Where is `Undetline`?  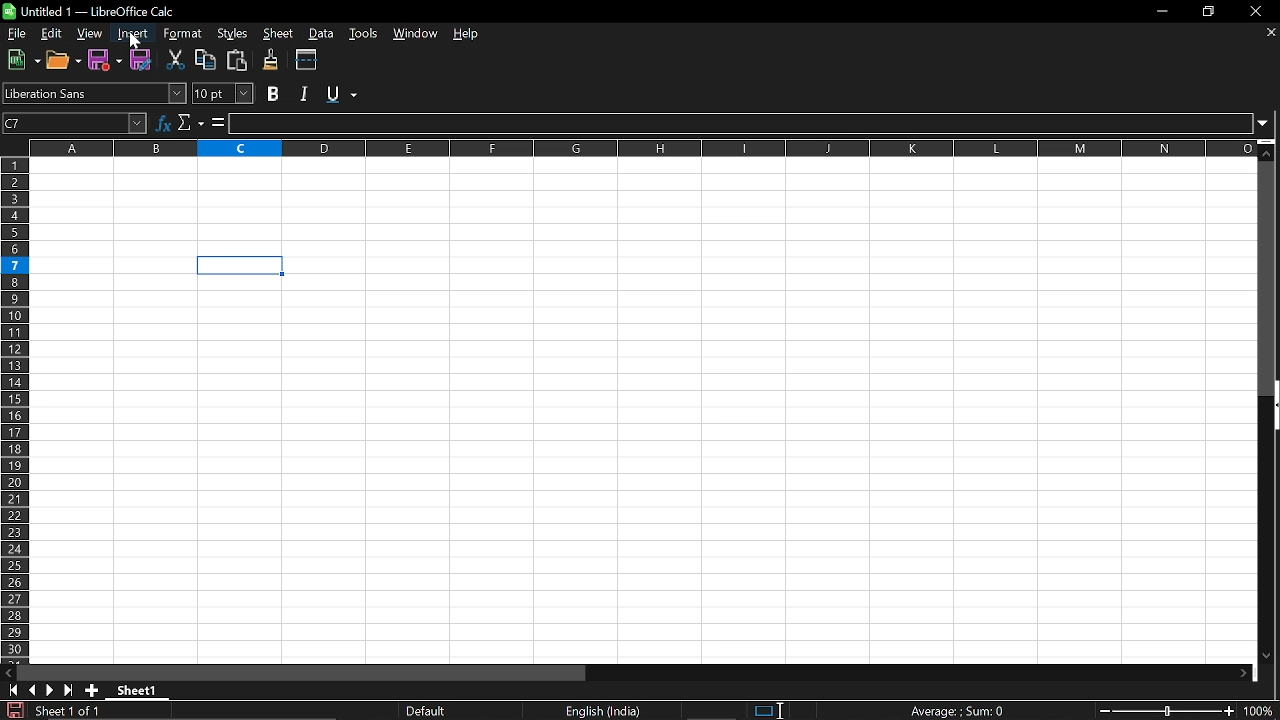
Undetline is located at coordinates (341, 93).